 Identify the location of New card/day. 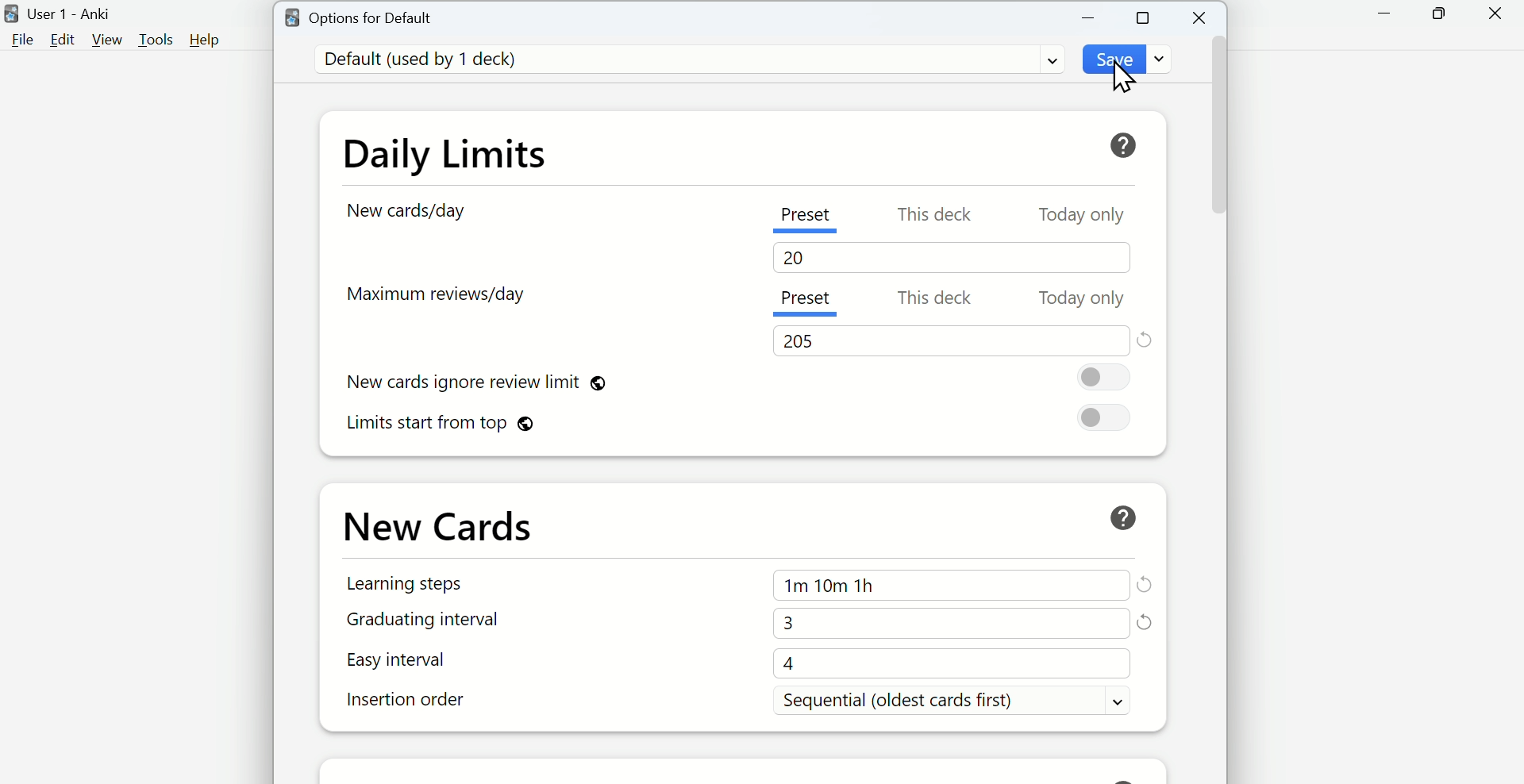
(407, 211).